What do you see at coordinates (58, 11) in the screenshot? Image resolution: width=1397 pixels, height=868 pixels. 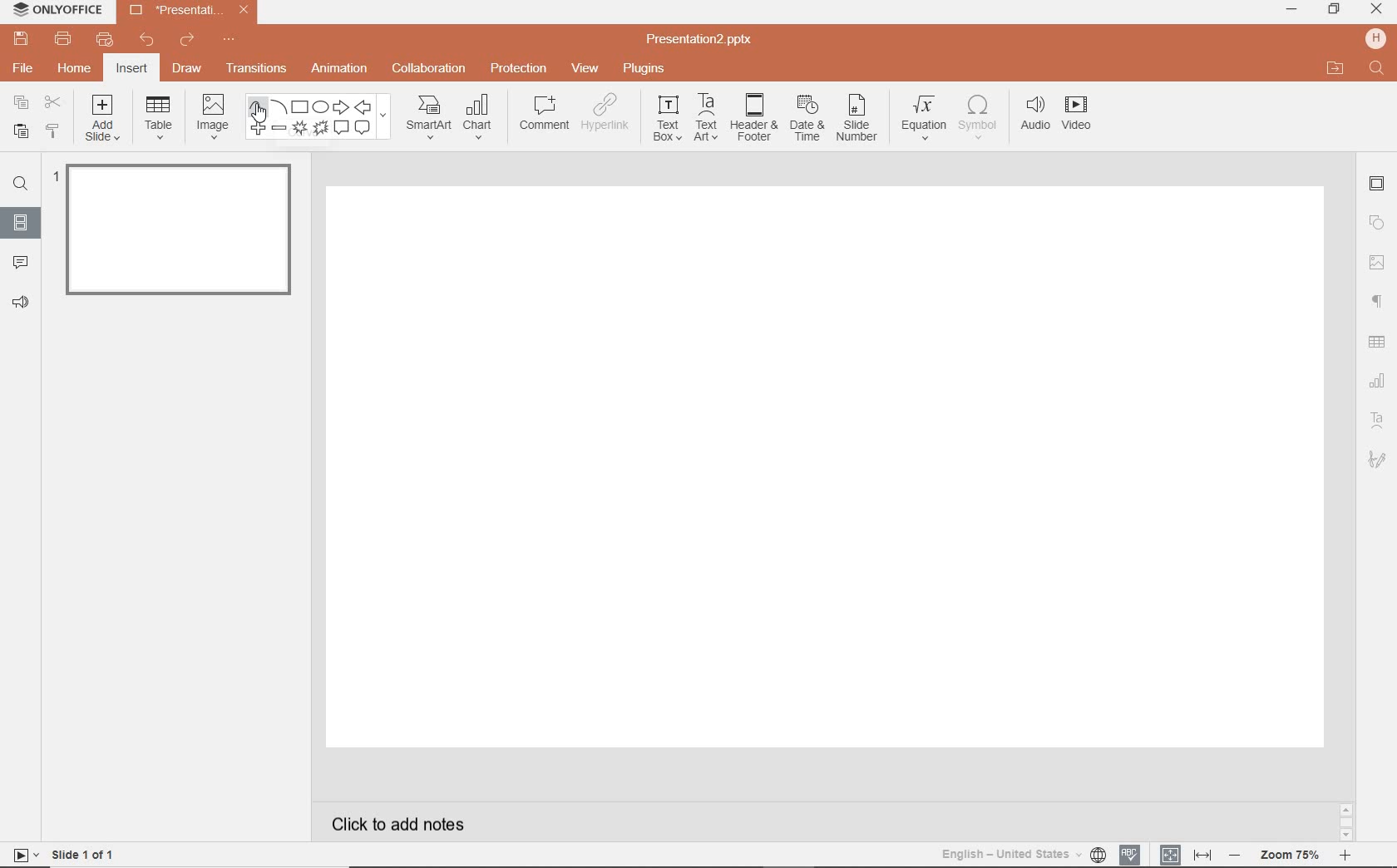 I see `ONLYOFFICE` at bounding box center [58, 11].